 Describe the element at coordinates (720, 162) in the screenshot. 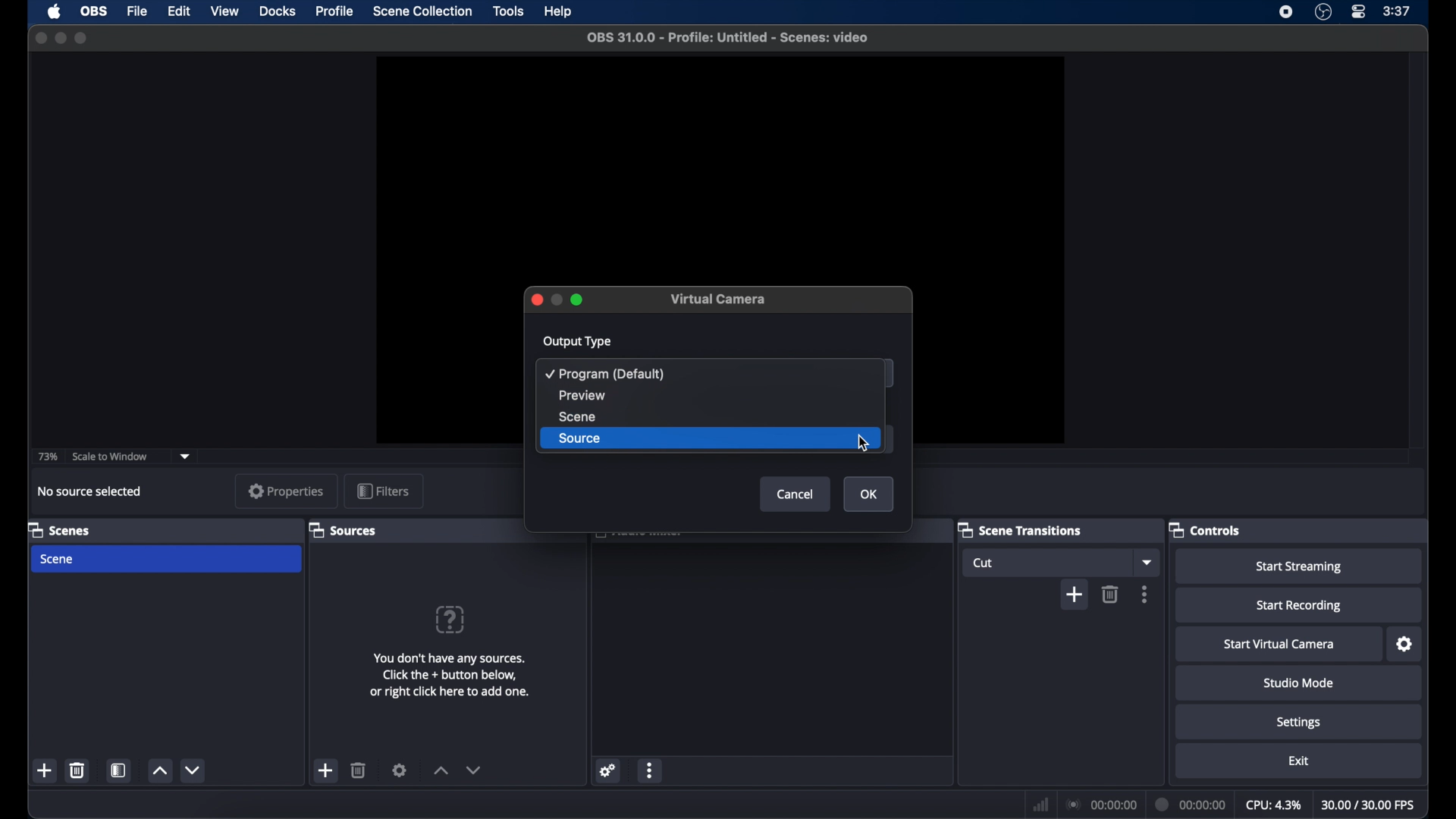

I see `preview` at that location.